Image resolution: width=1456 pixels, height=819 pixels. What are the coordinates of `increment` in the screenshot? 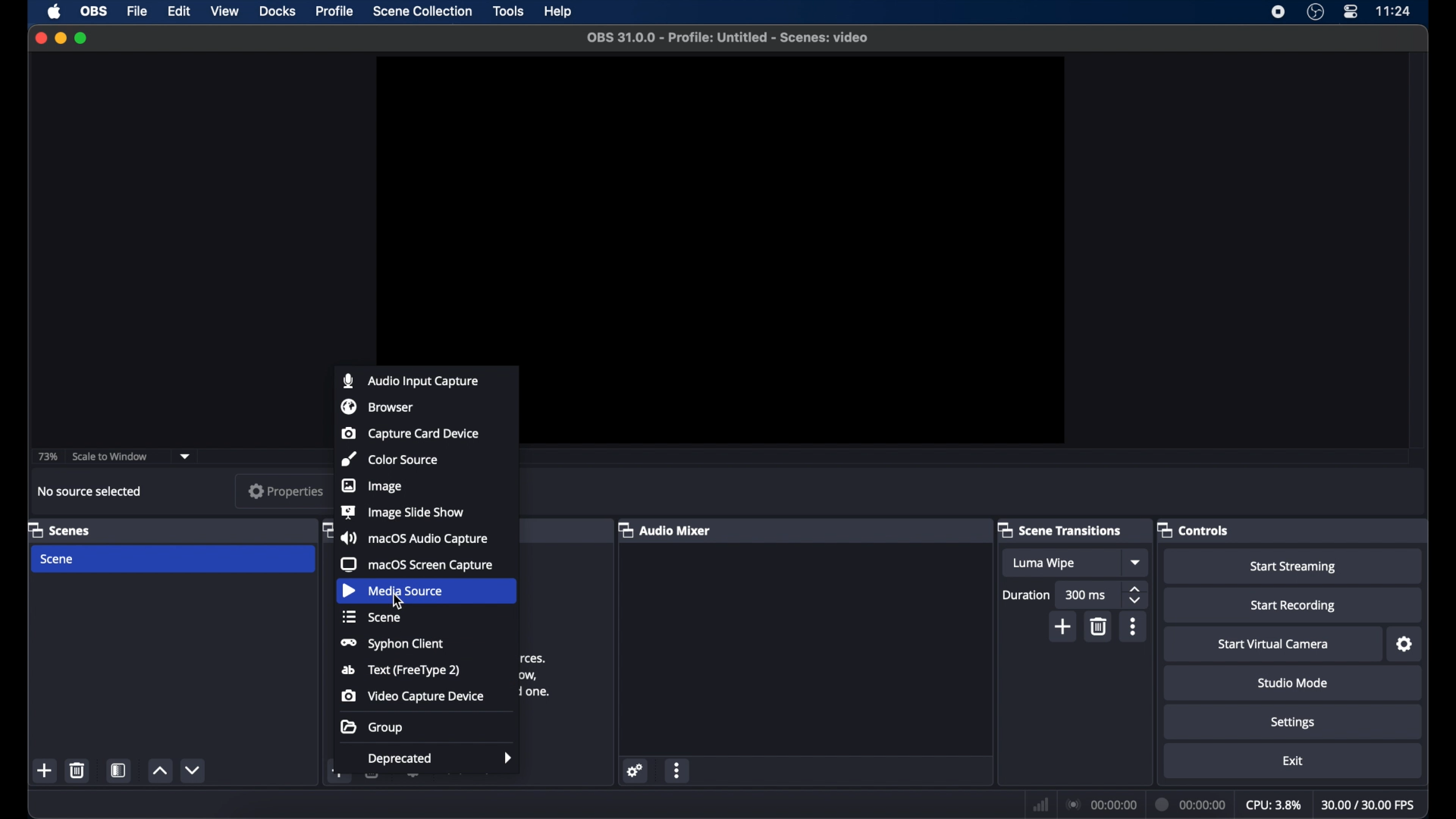 It's located at (454, 774).